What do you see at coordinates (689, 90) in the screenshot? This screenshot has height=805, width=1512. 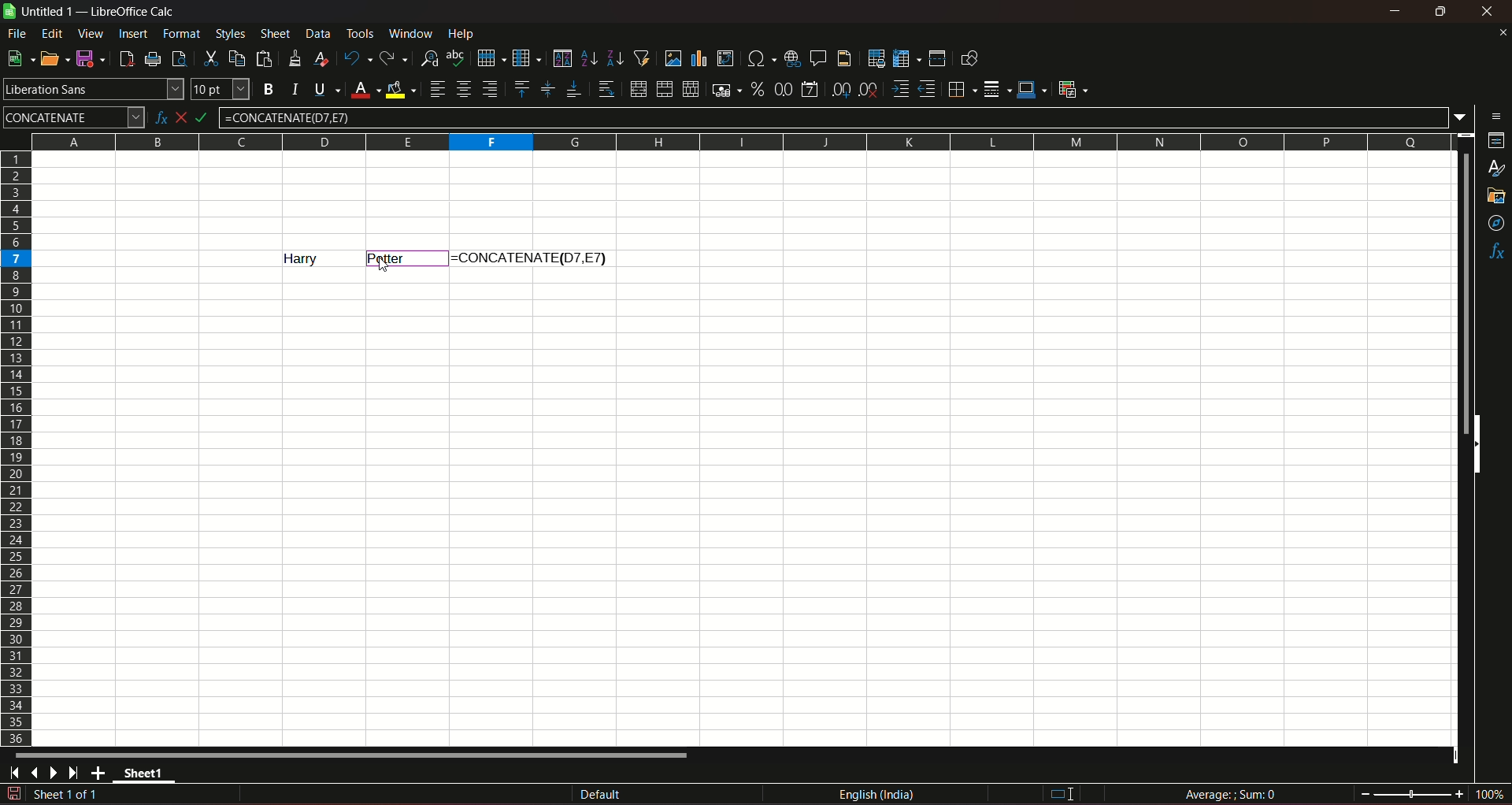 I see `unmerge` at bounding box center [689, 90].